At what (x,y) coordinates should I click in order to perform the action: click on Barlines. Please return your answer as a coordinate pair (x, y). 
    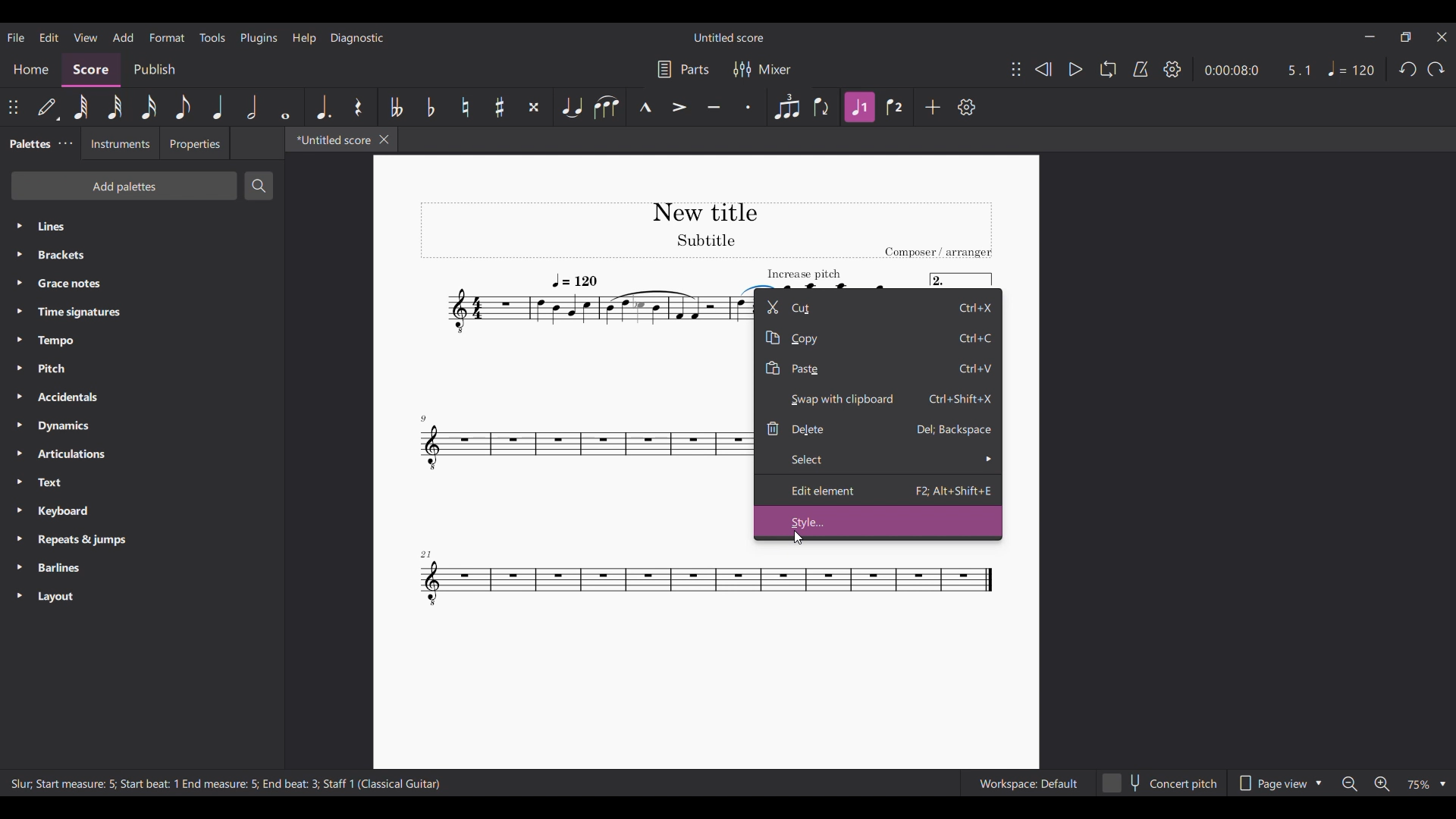
    Looking at the image, I should click on (142, 567).